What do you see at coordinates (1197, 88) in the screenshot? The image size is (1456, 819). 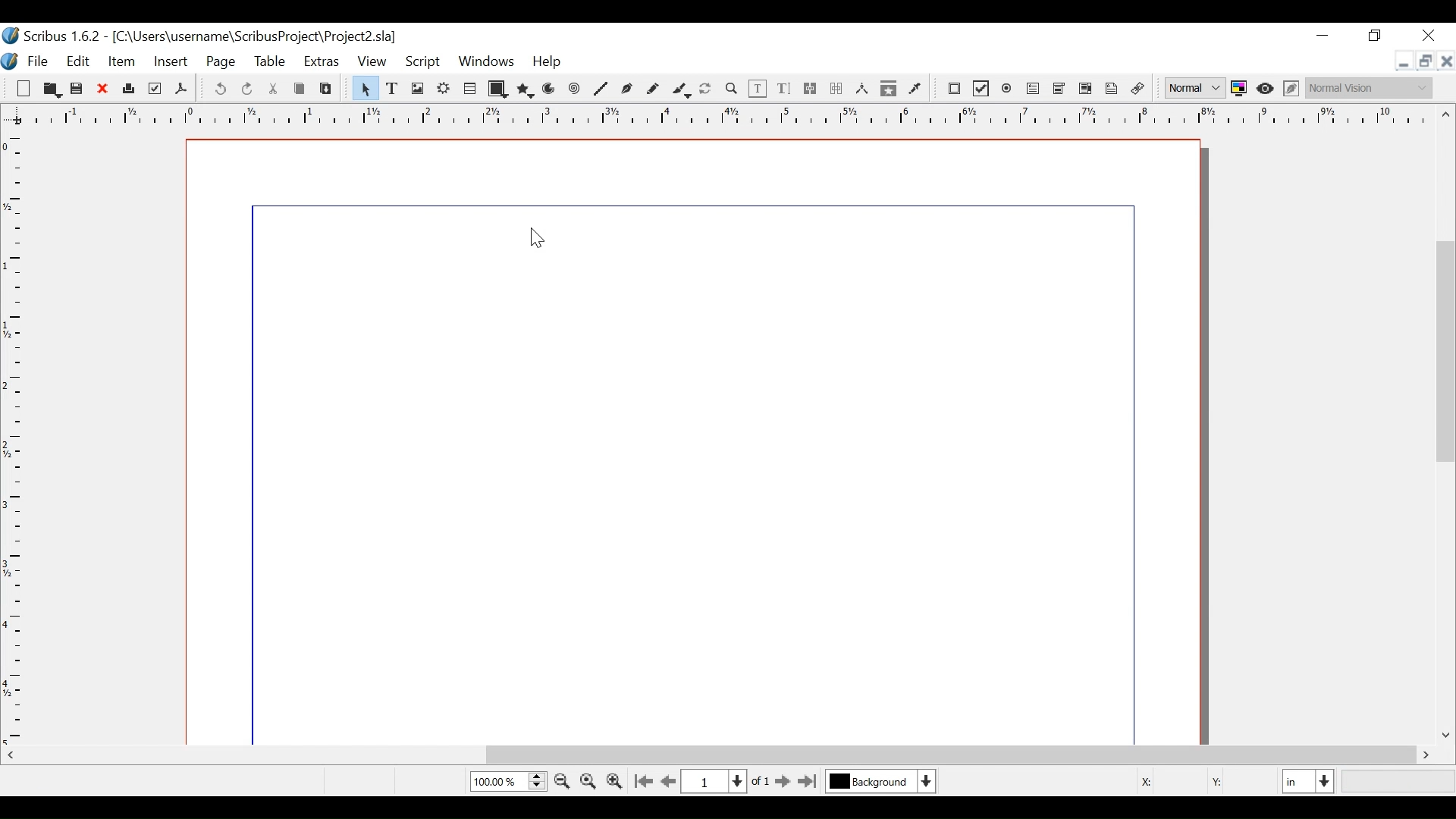 I see `Select the image preview quality` at bounding box center [1197, 88].